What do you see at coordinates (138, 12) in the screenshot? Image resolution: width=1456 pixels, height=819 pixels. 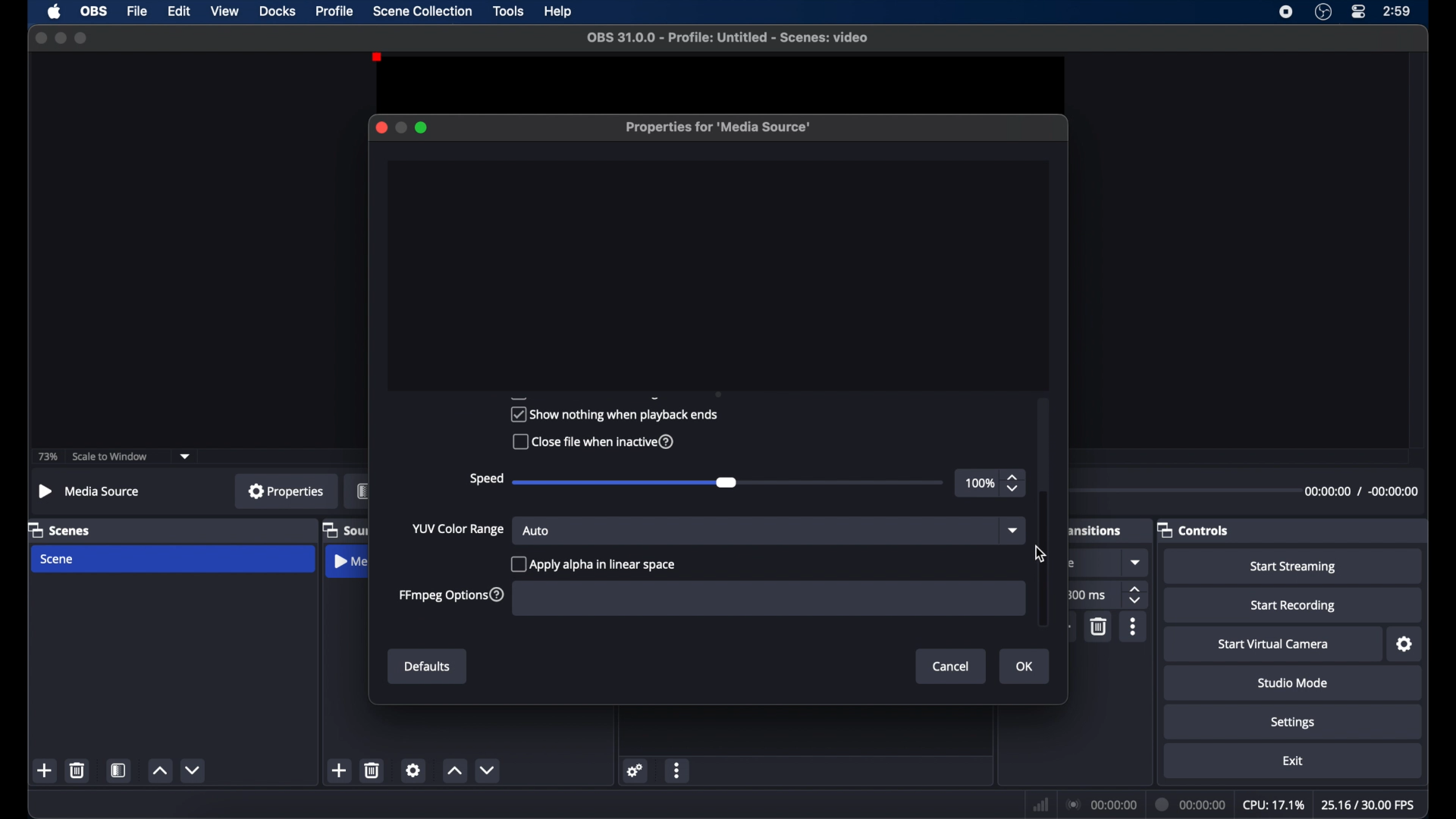 I see `file` at bounding box center [138, 12].